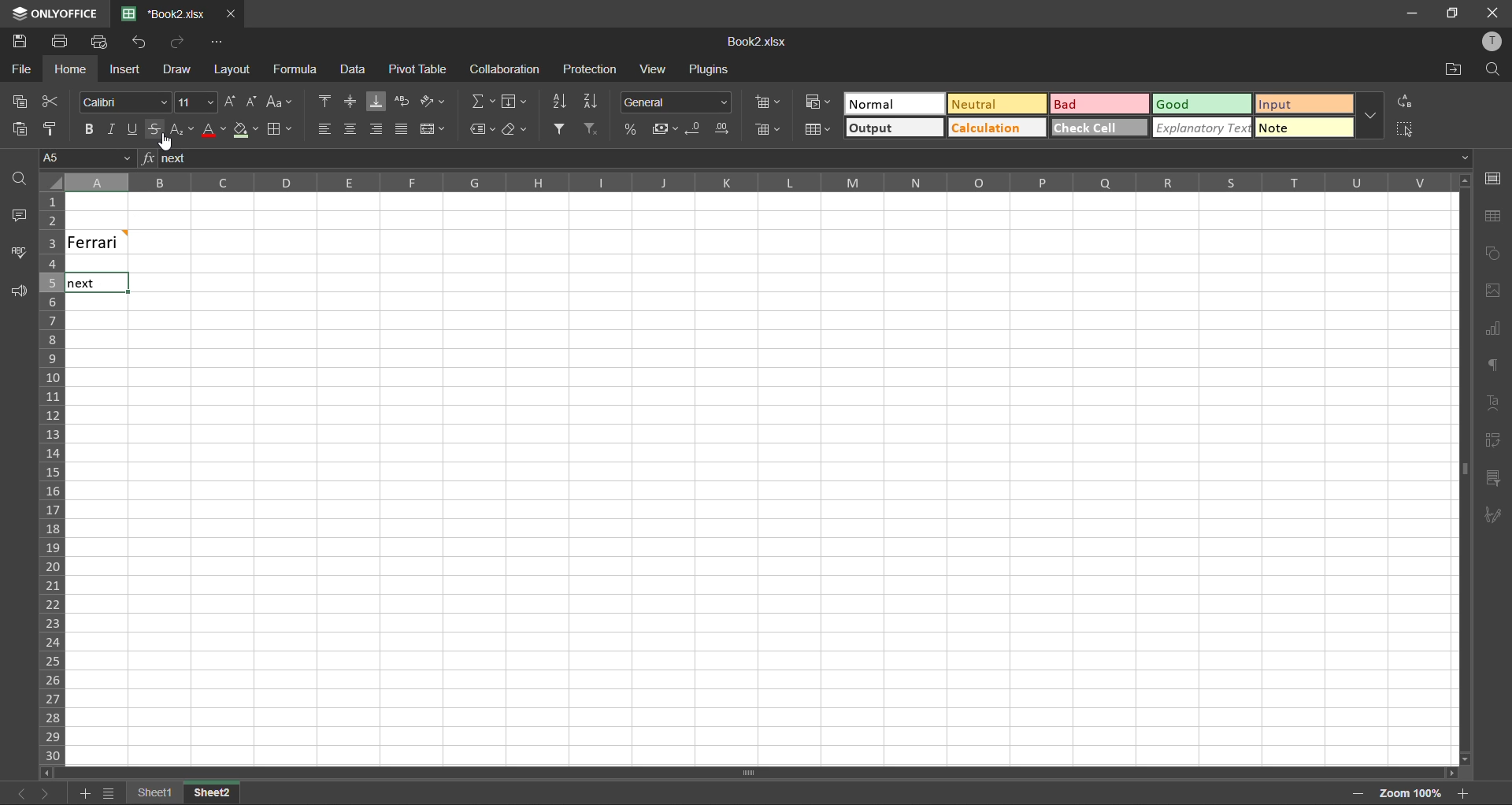 This screenshot has width=1512, height=805. Describe the element at coordinates (86, 793) in the screenshot. I see `add sheet` at that location.